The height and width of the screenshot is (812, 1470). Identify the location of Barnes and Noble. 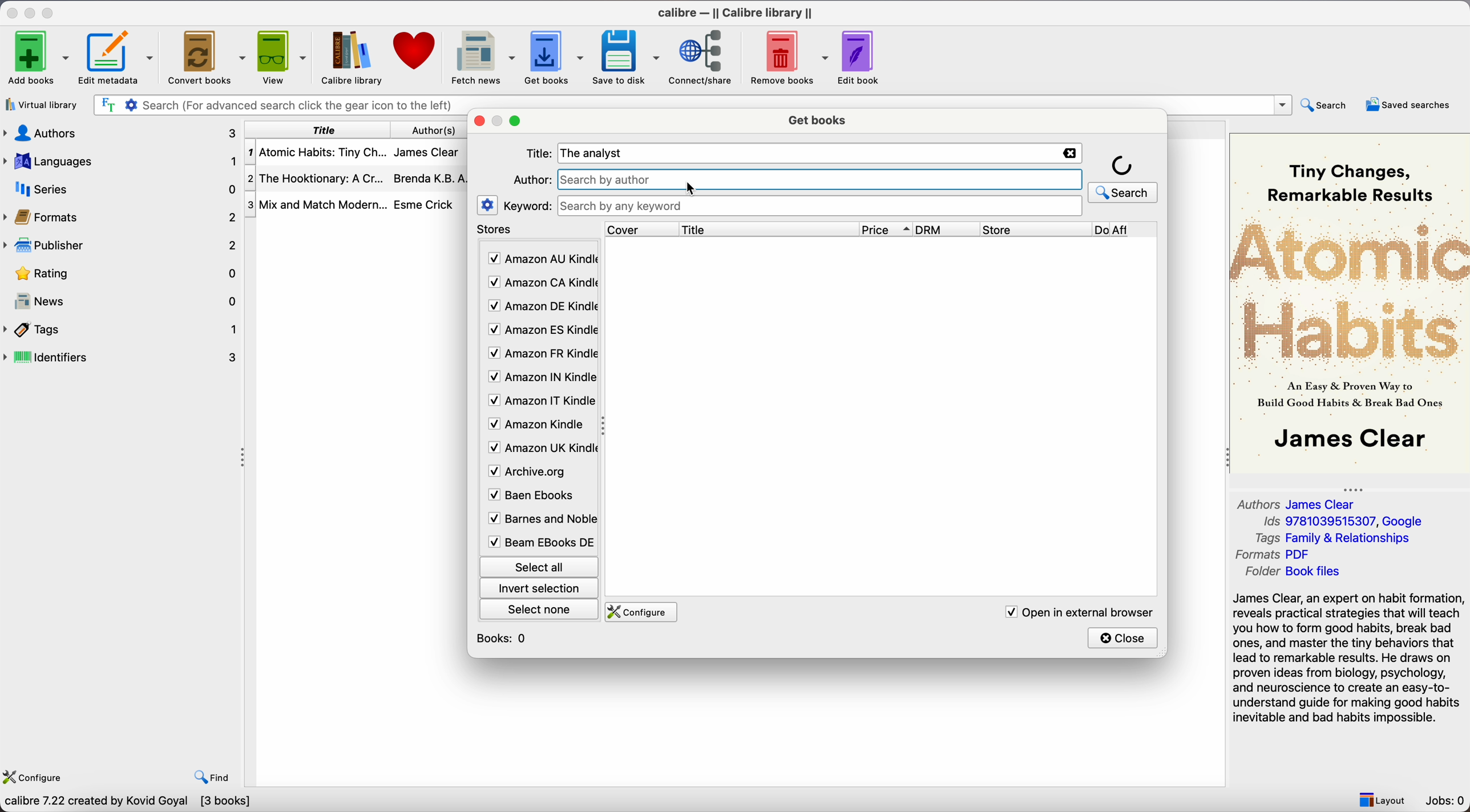
(538, 521).